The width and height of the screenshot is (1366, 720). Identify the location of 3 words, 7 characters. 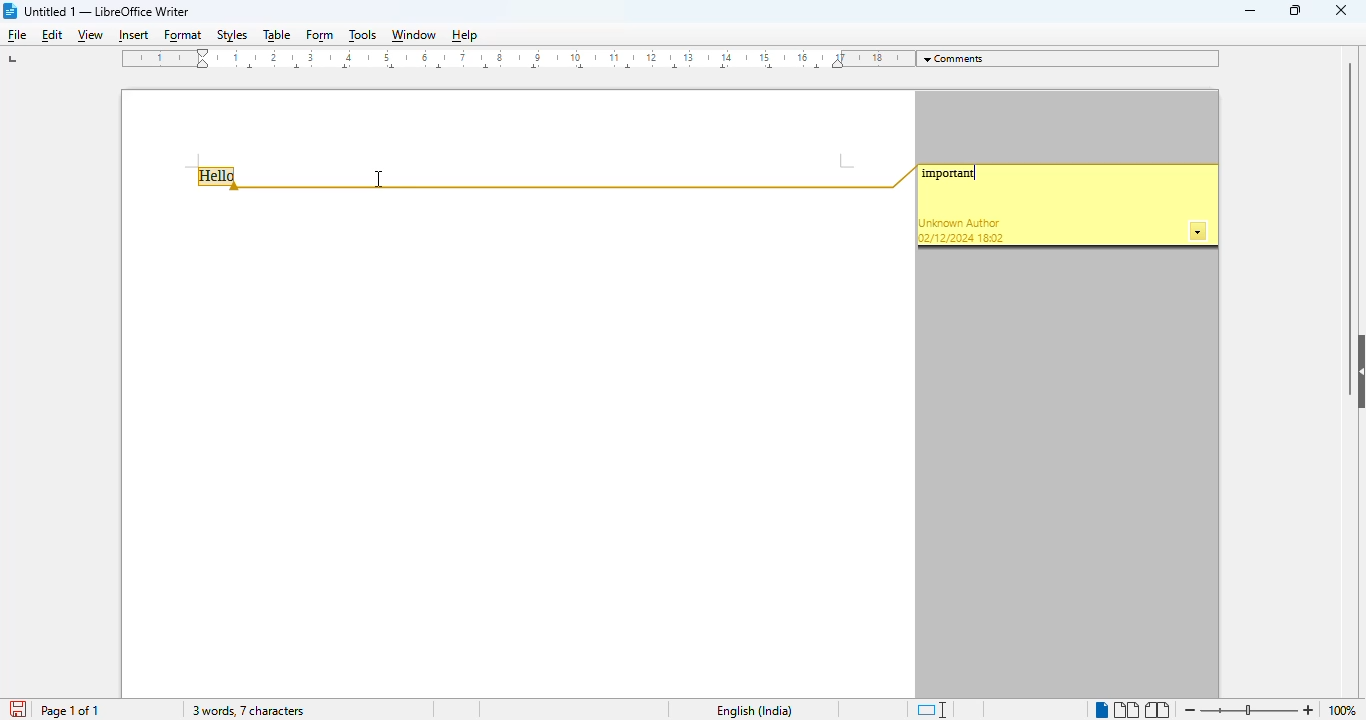
(247, 710).